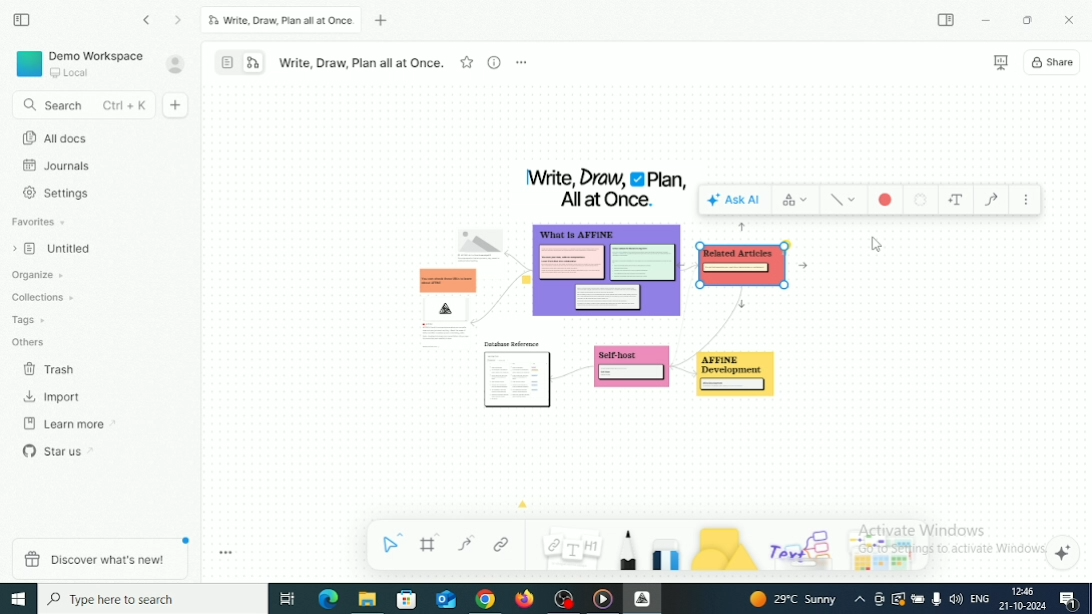 This screenshot has width=1092, height=614. I want to click on Mail, so click(445, 599).